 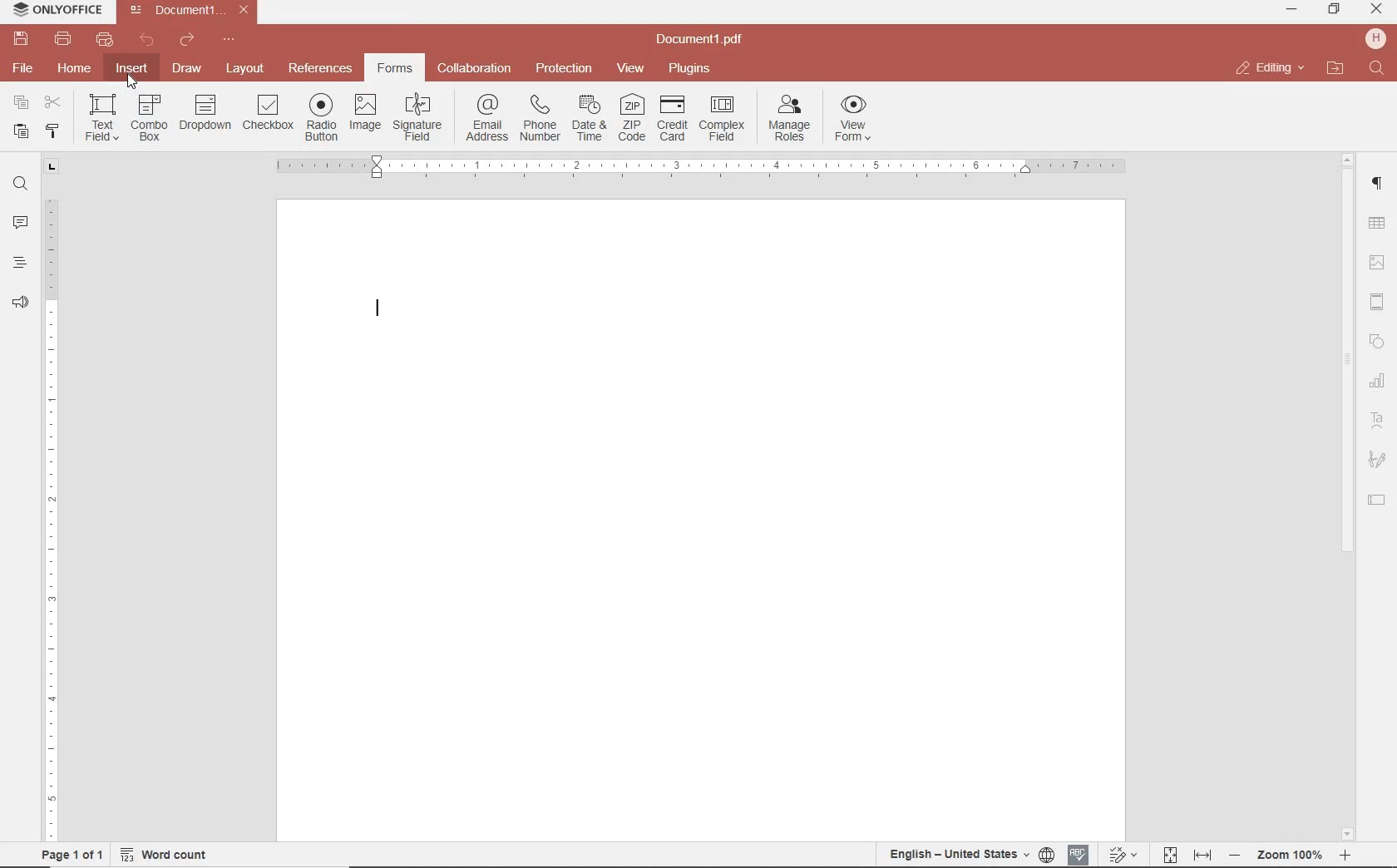 I want to click on home, so click(x=72, y=67).